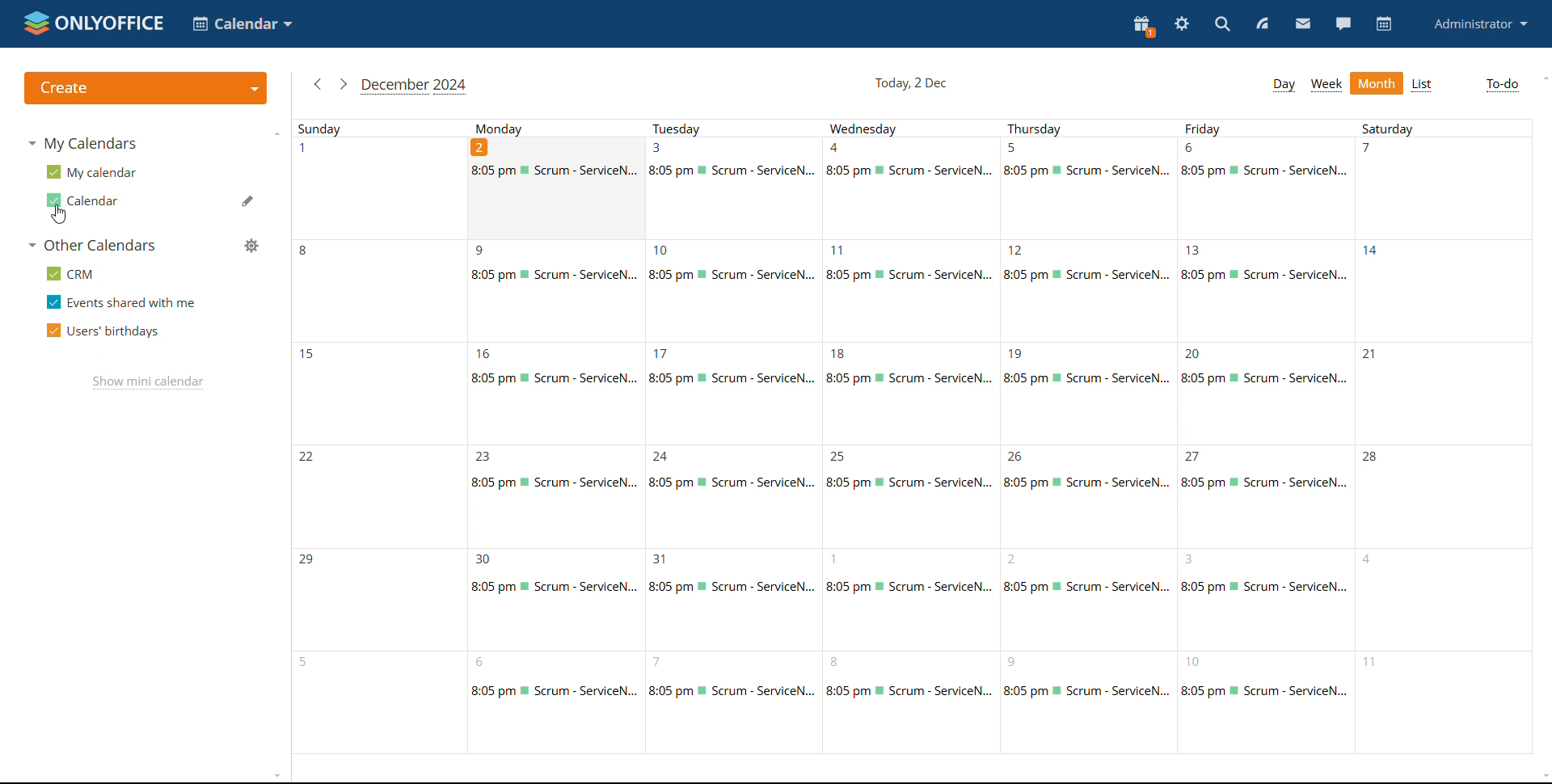  I want to click on 29, so click(373, 596).